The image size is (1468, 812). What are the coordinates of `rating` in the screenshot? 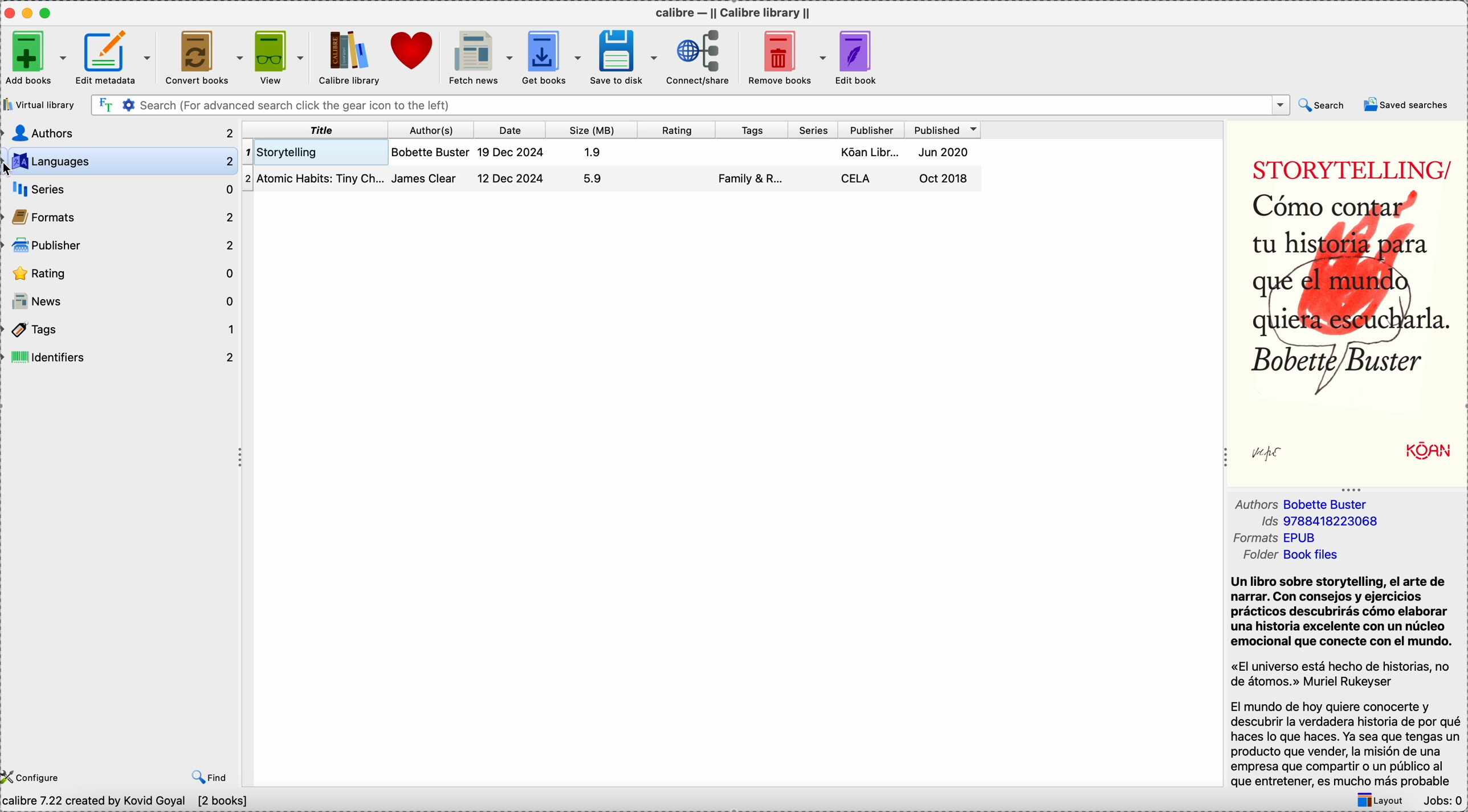 It's located at (122, 274).